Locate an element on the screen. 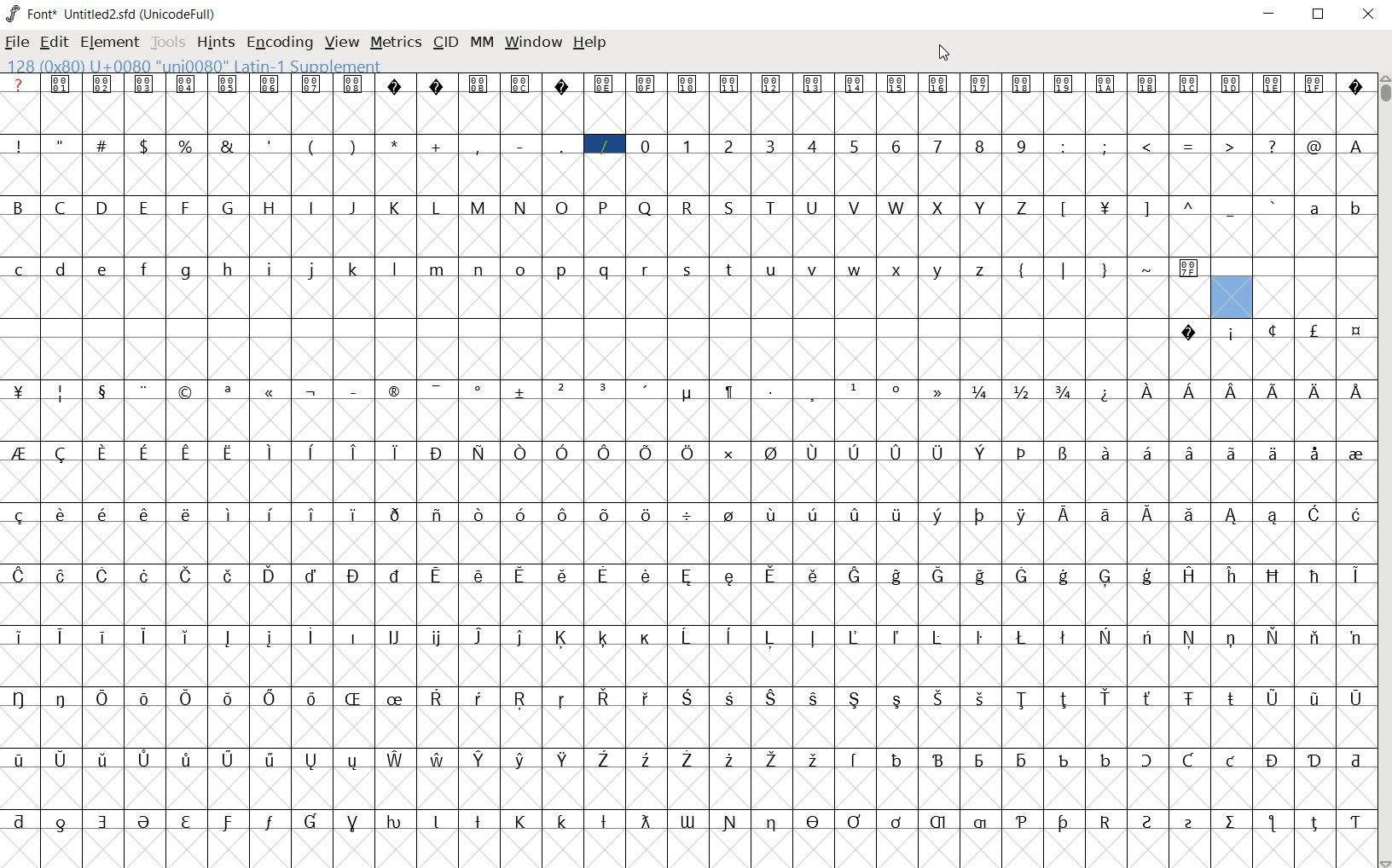  glyph is located at coordinates (355, 637).